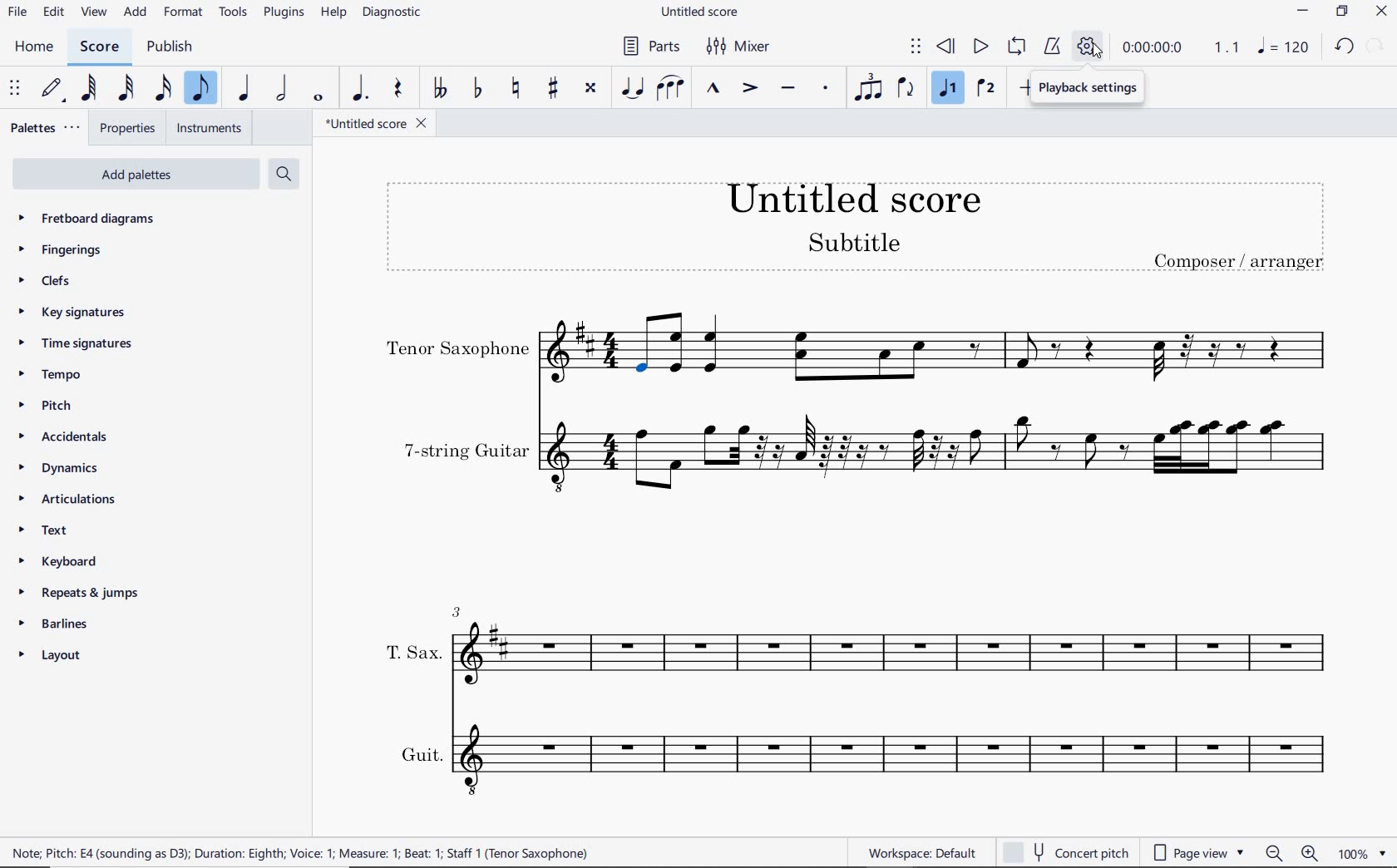  I want to click on TUPLET, so click(866, 88).